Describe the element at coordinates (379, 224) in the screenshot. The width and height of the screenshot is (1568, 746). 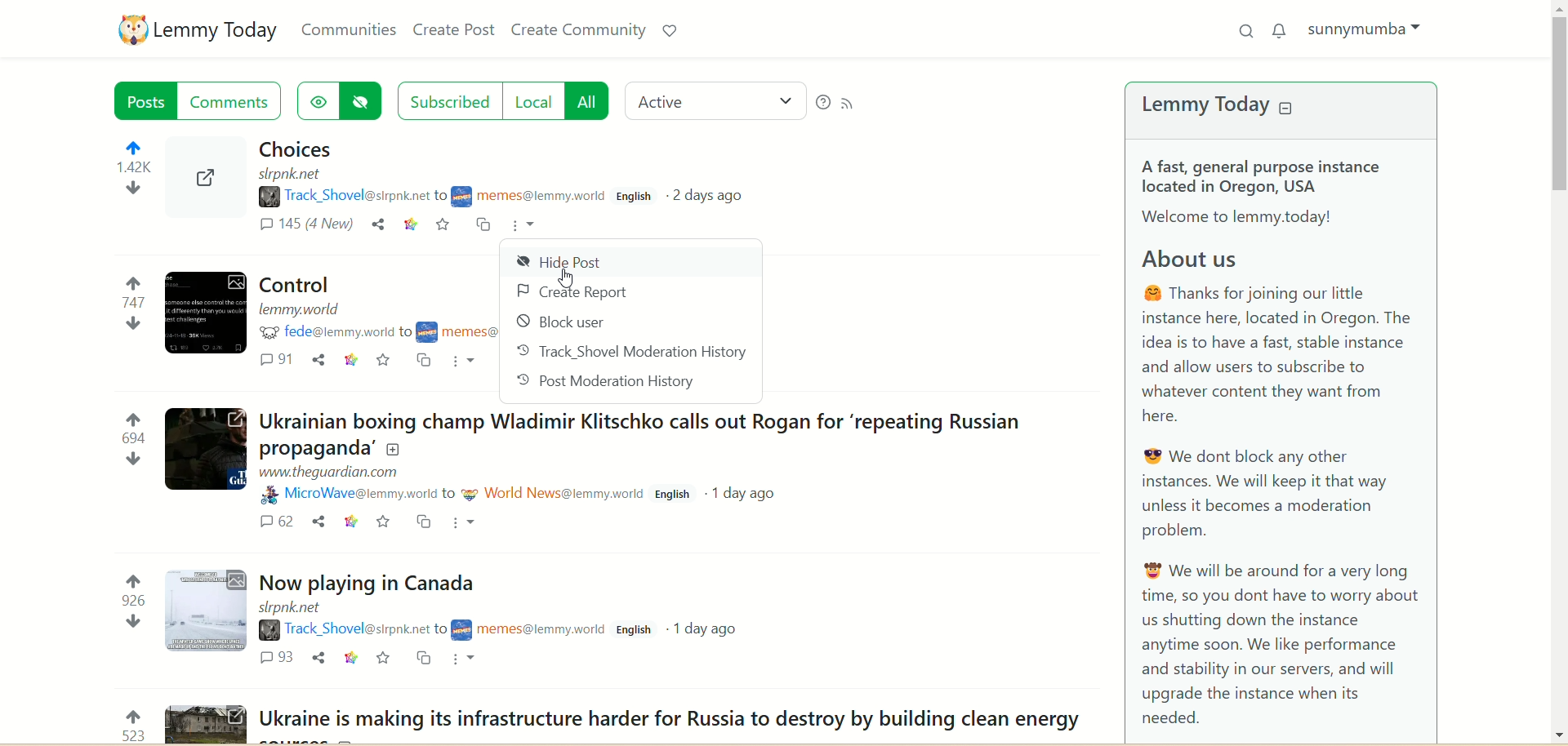
I see `share` at that location.